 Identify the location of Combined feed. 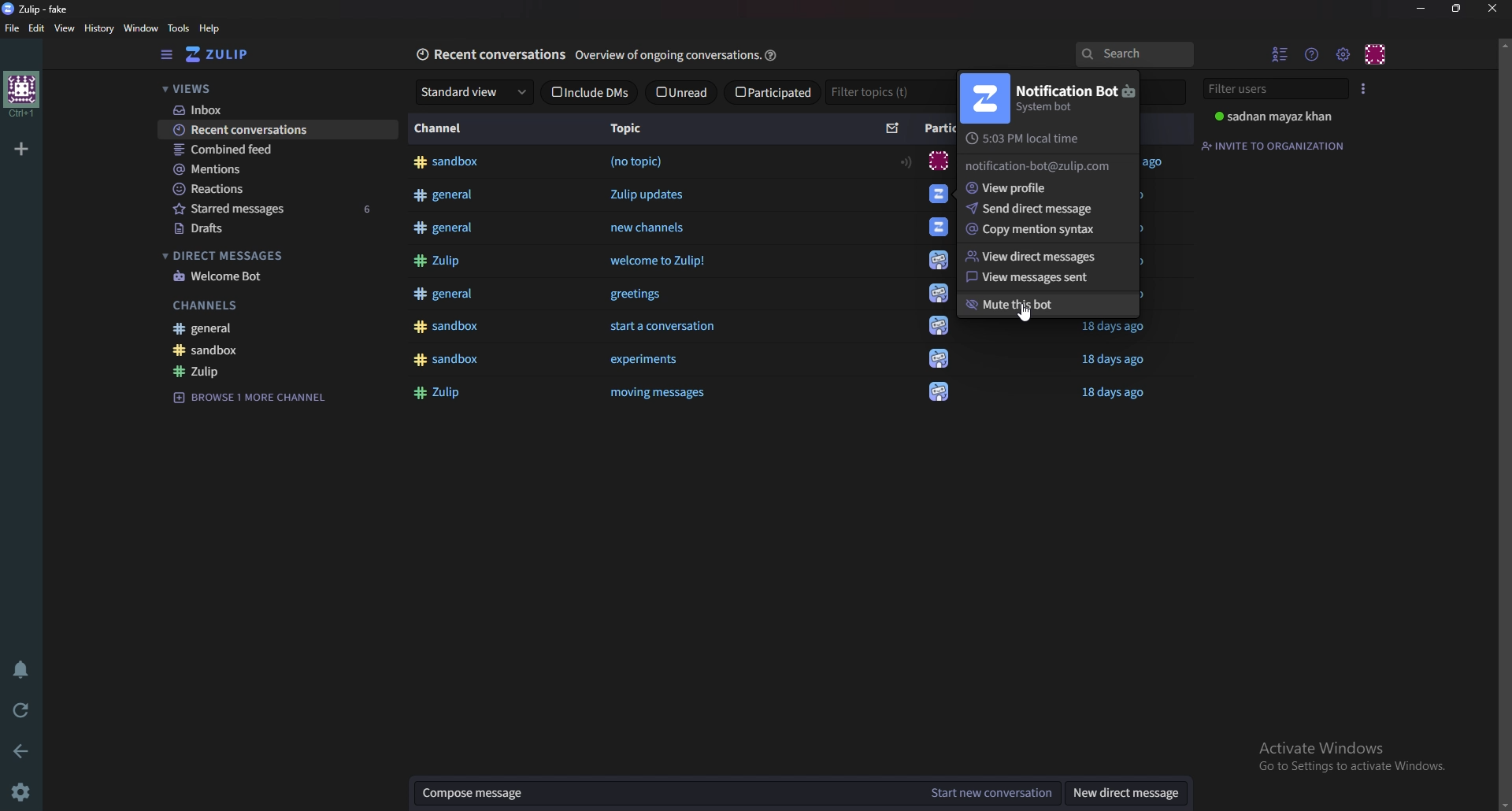
(271, 150).